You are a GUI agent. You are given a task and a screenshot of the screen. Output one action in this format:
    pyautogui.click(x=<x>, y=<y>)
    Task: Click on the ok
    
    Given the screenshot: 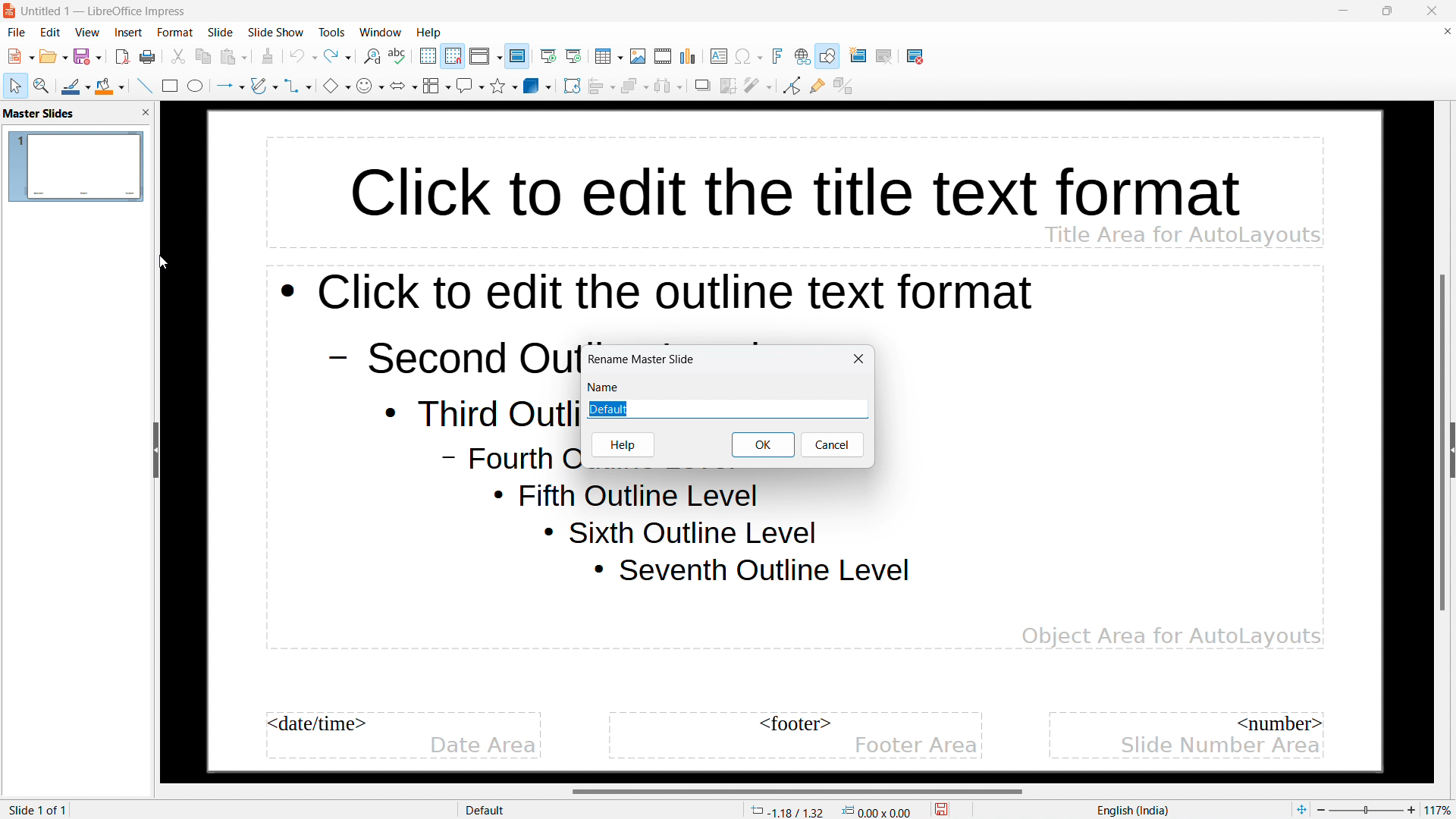 What is the action you would take?
    pyautogui.click(x=764, y=444)
    